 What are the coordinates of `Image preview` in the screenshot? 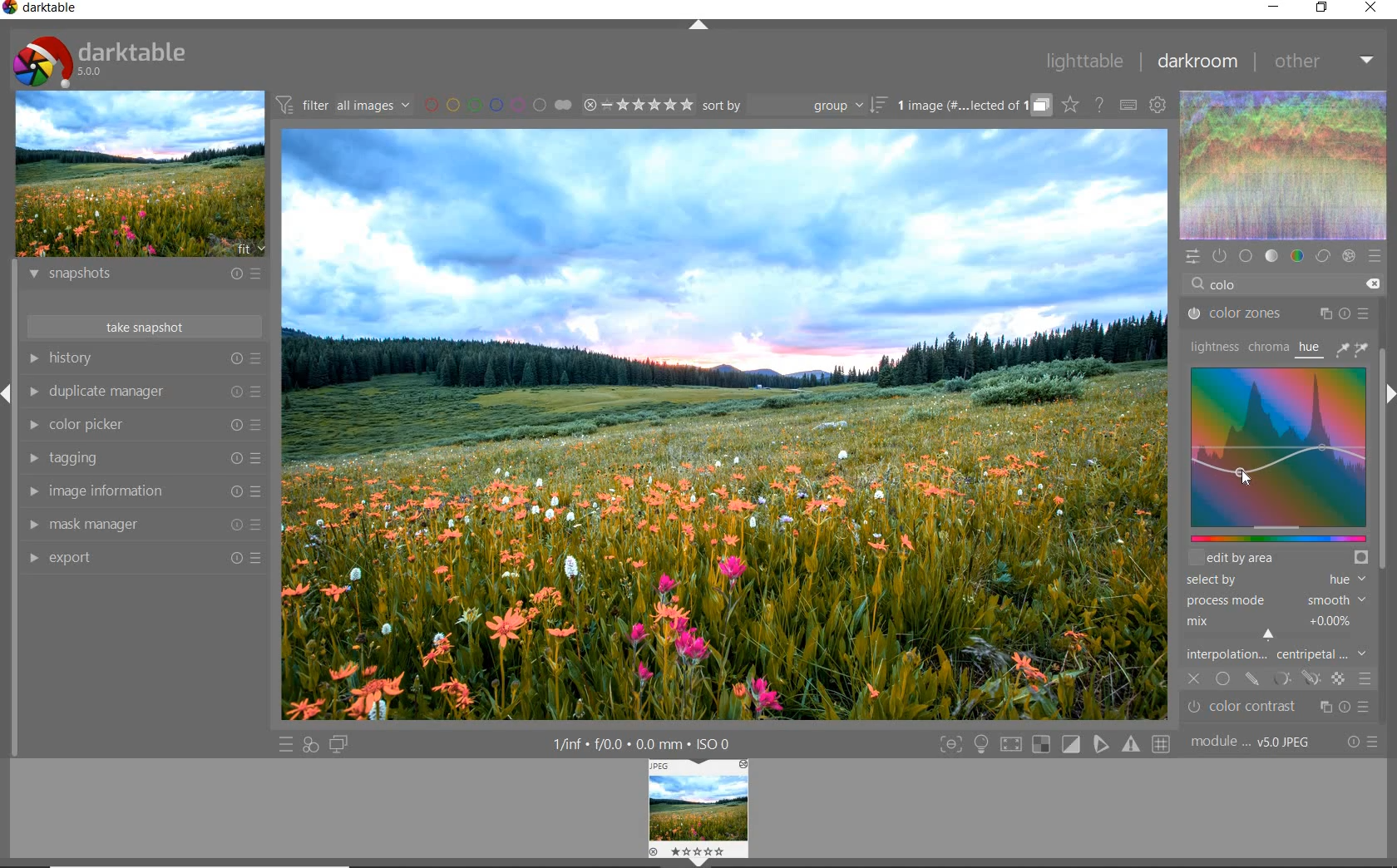 It's located at (699, 811).